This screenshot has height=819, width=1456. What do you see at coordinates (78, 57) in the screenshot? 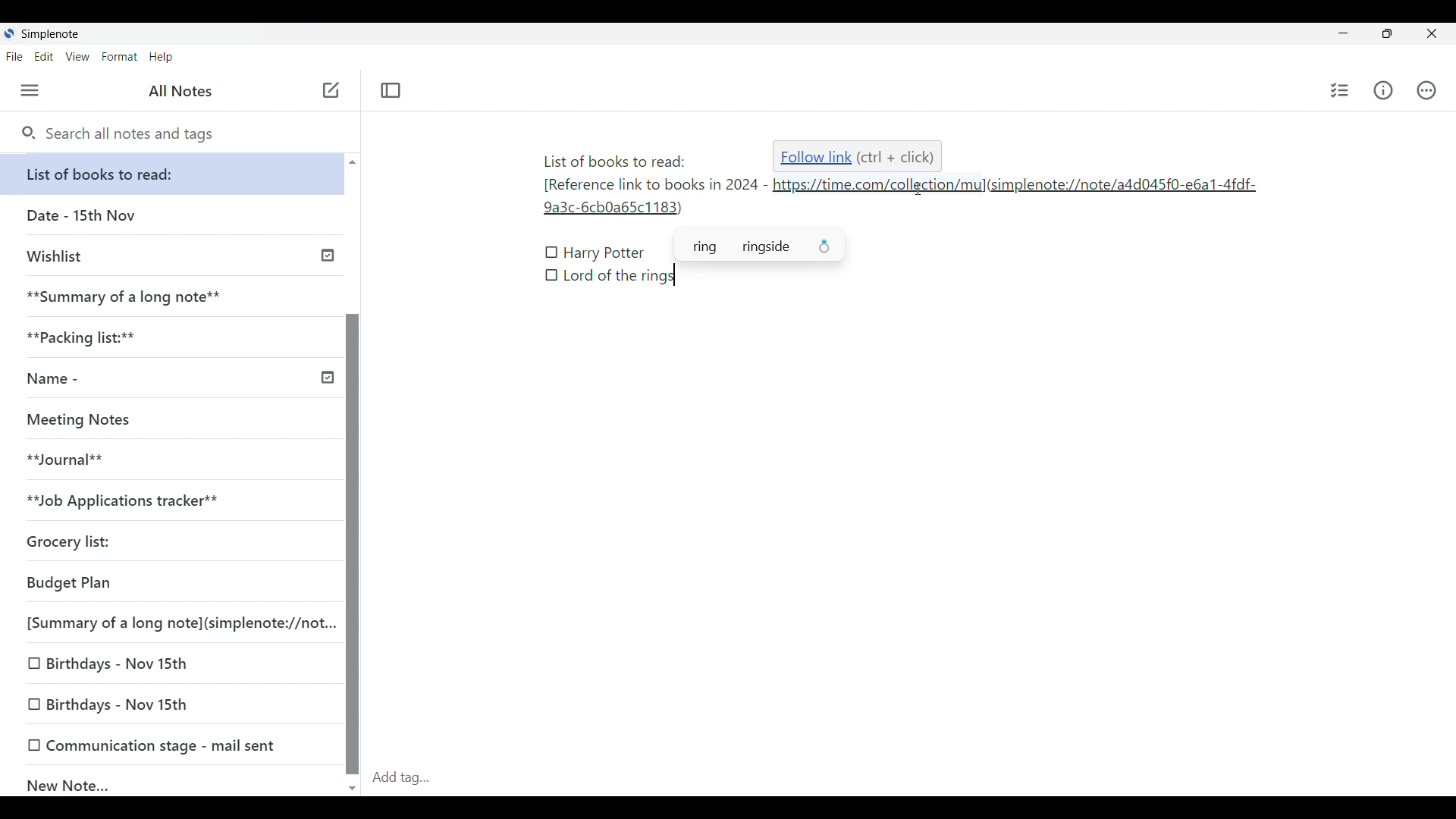
I see `View` at bounding box center [78, 57].